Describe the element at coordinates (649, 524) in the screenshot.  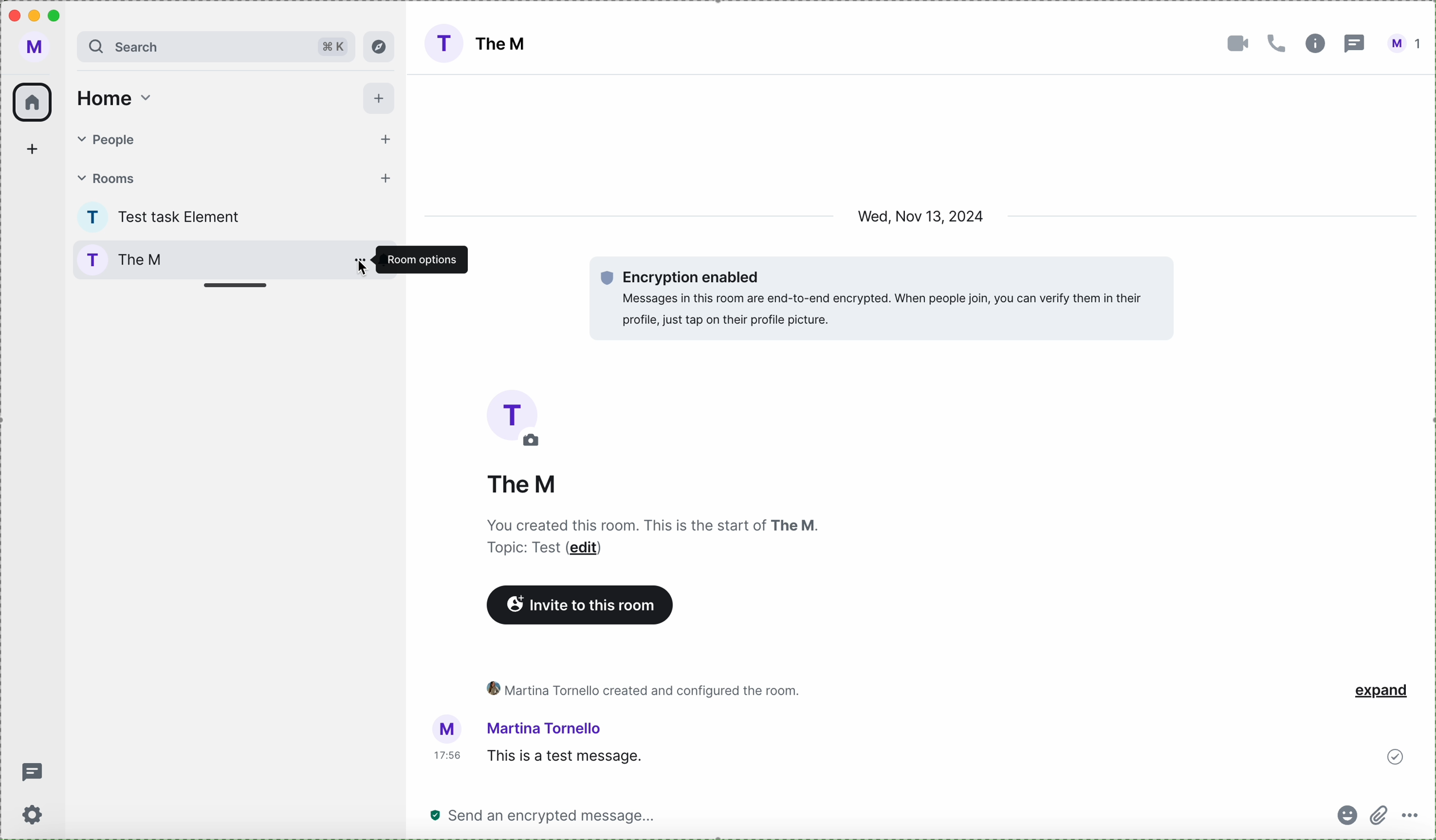
I see `description room` at that location.